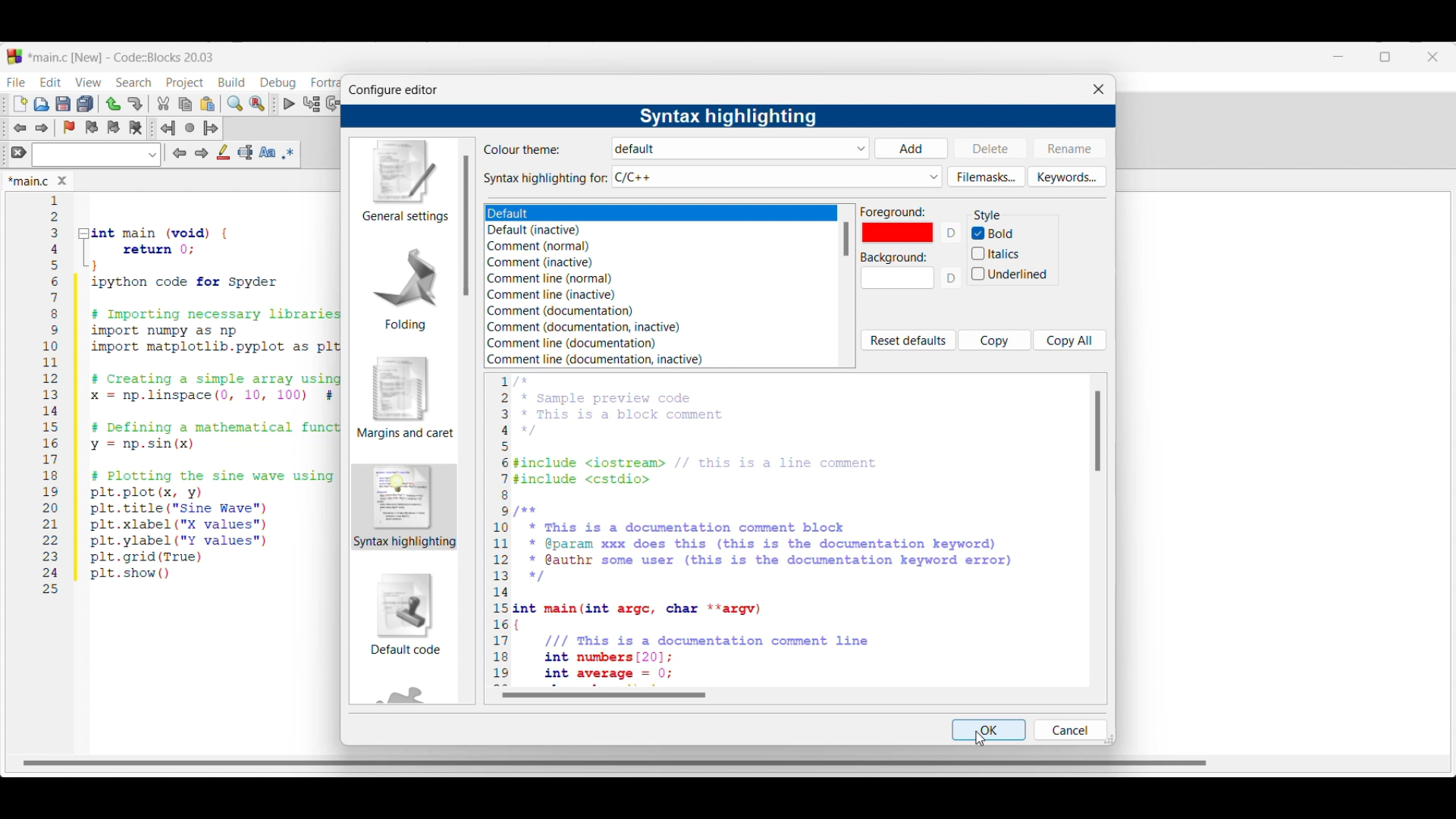  What do you see at coordinates (185, 105) in the screenshot?
I see `Copy` at bounding box center [185, 105].